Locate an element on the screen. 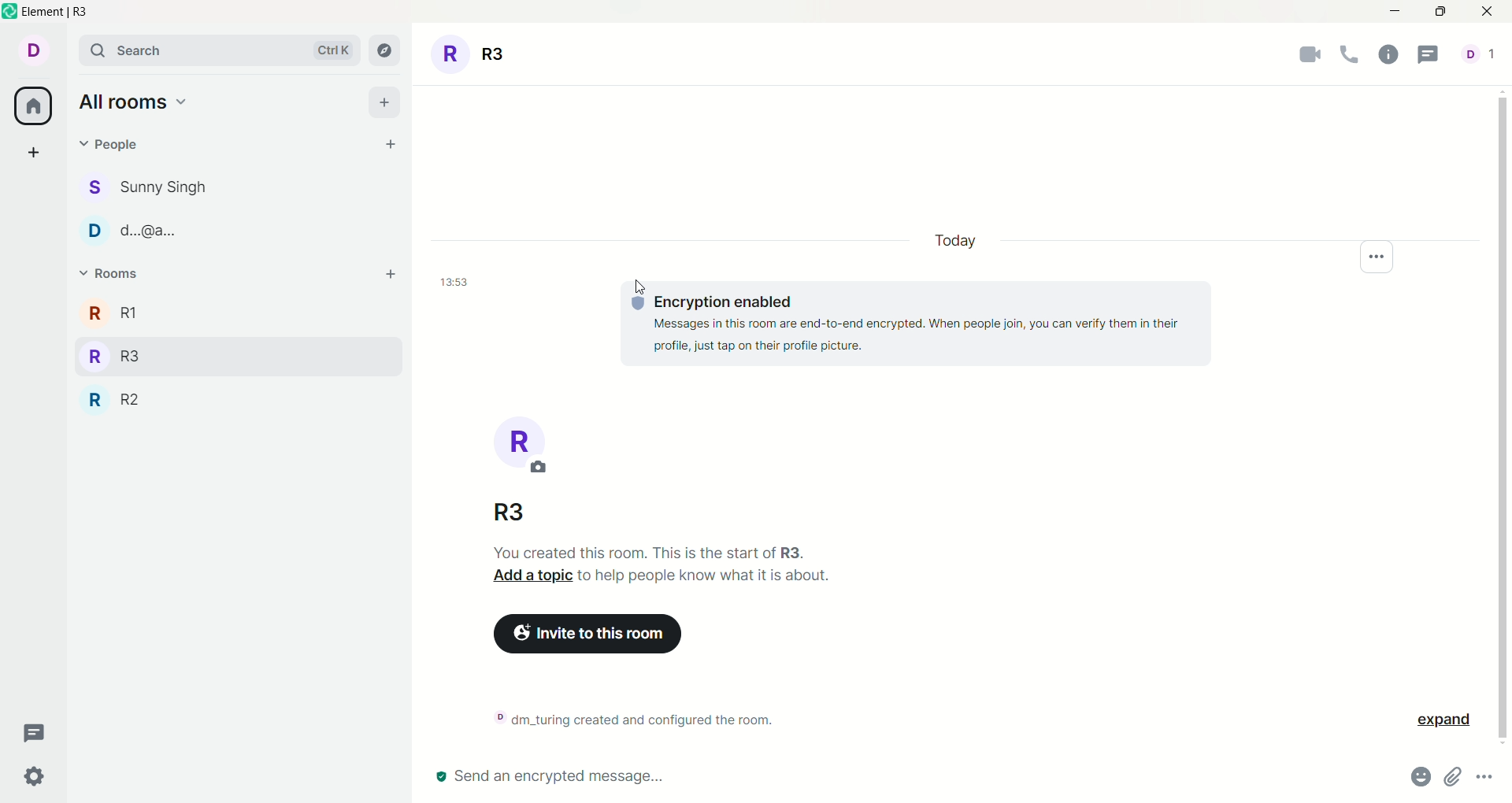 This screenshot has height=803, width=1512. R3 is located at coordinates (535, 513).